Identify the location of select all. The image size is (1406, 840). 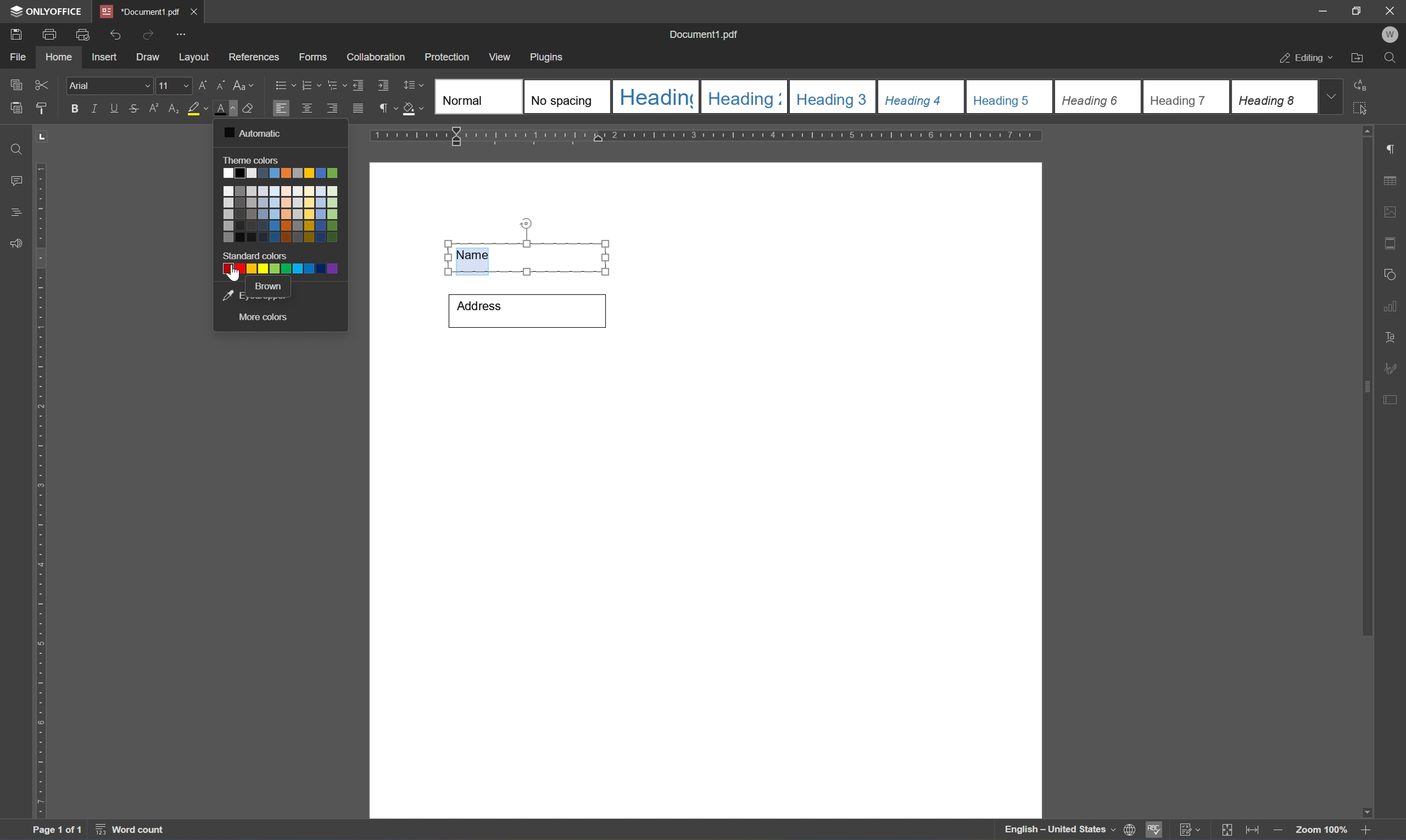
(1367, 112).